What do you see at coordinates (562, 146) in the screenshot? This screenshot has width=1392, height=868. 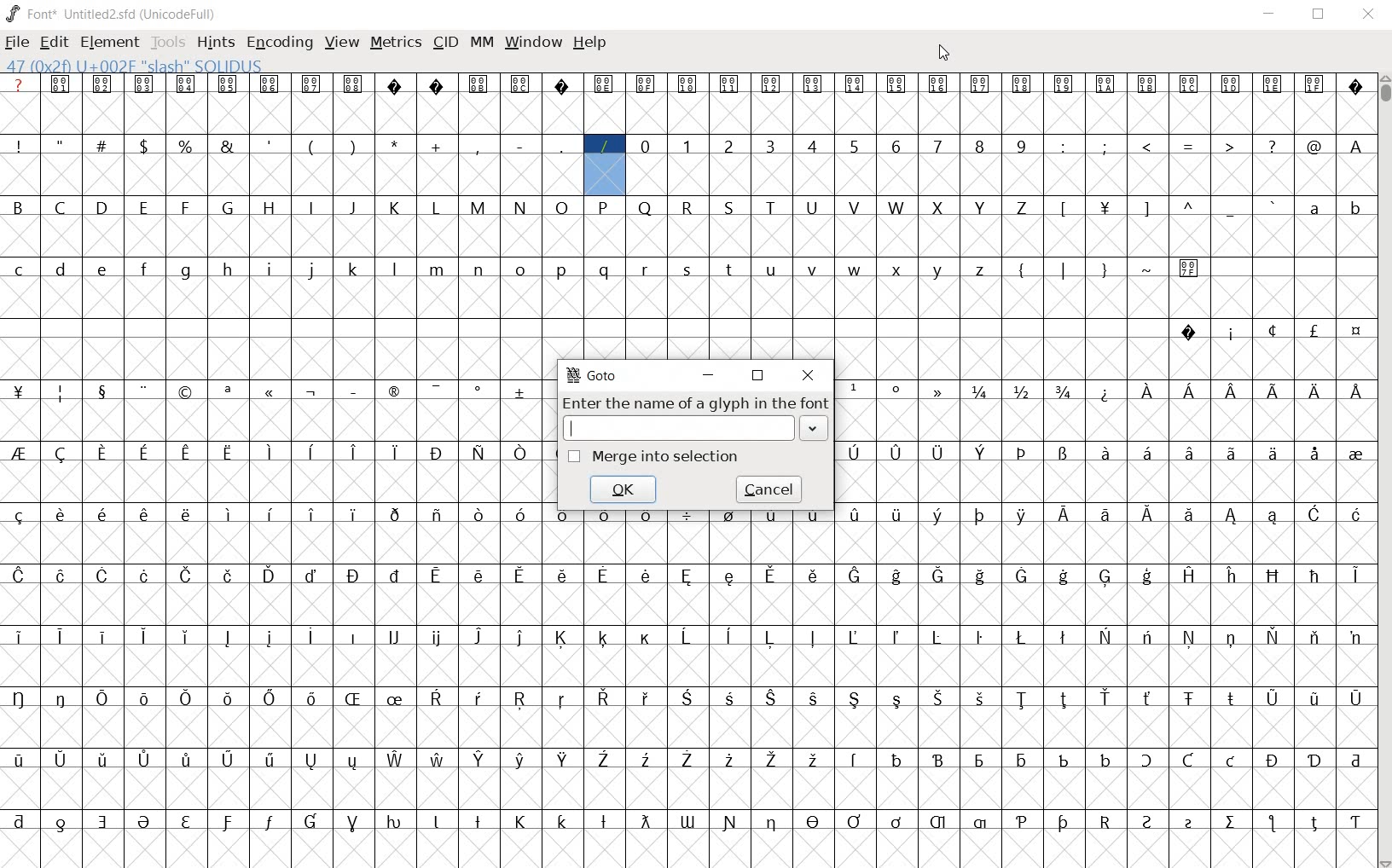 I see `glyph` at bounding box center [562, 146].